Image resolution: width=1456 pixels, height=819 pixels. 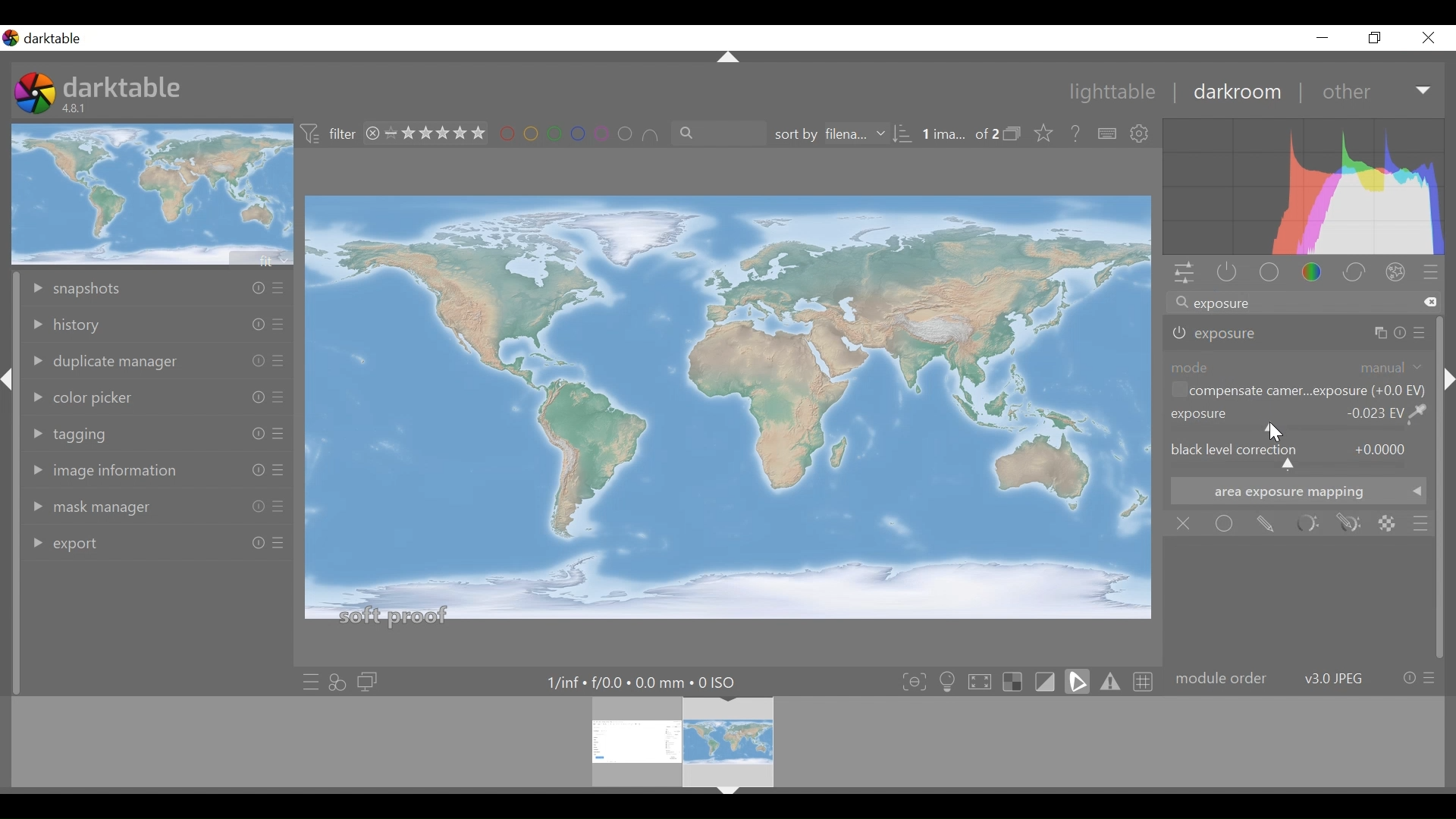 What do you see at coordinates (279, 362) in the screenshot?
I see `` at bounding box center [279, 362].